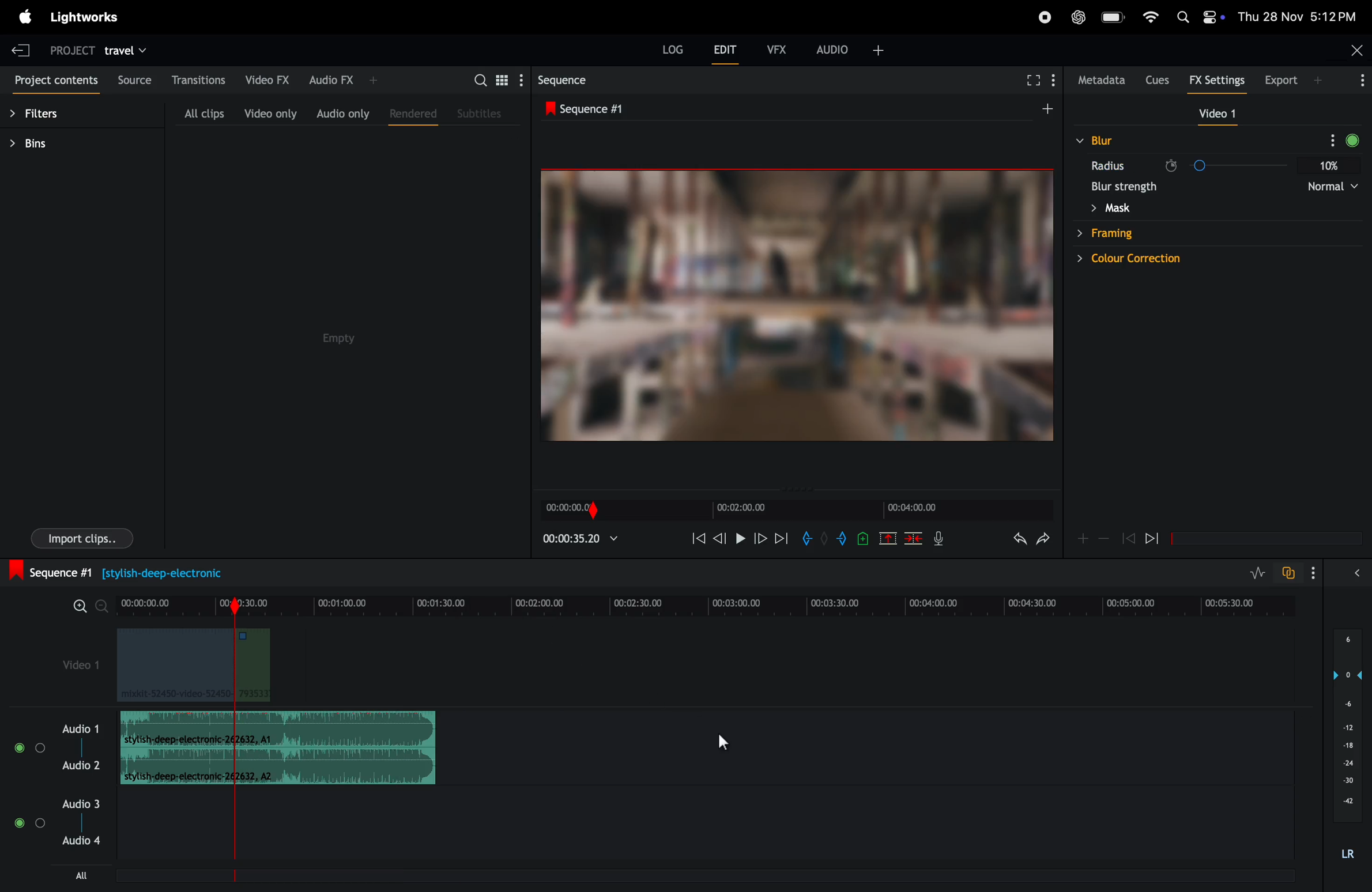 The height and width of the screenshot is (892, 1372). I want to click on audio , so click(853, 48).